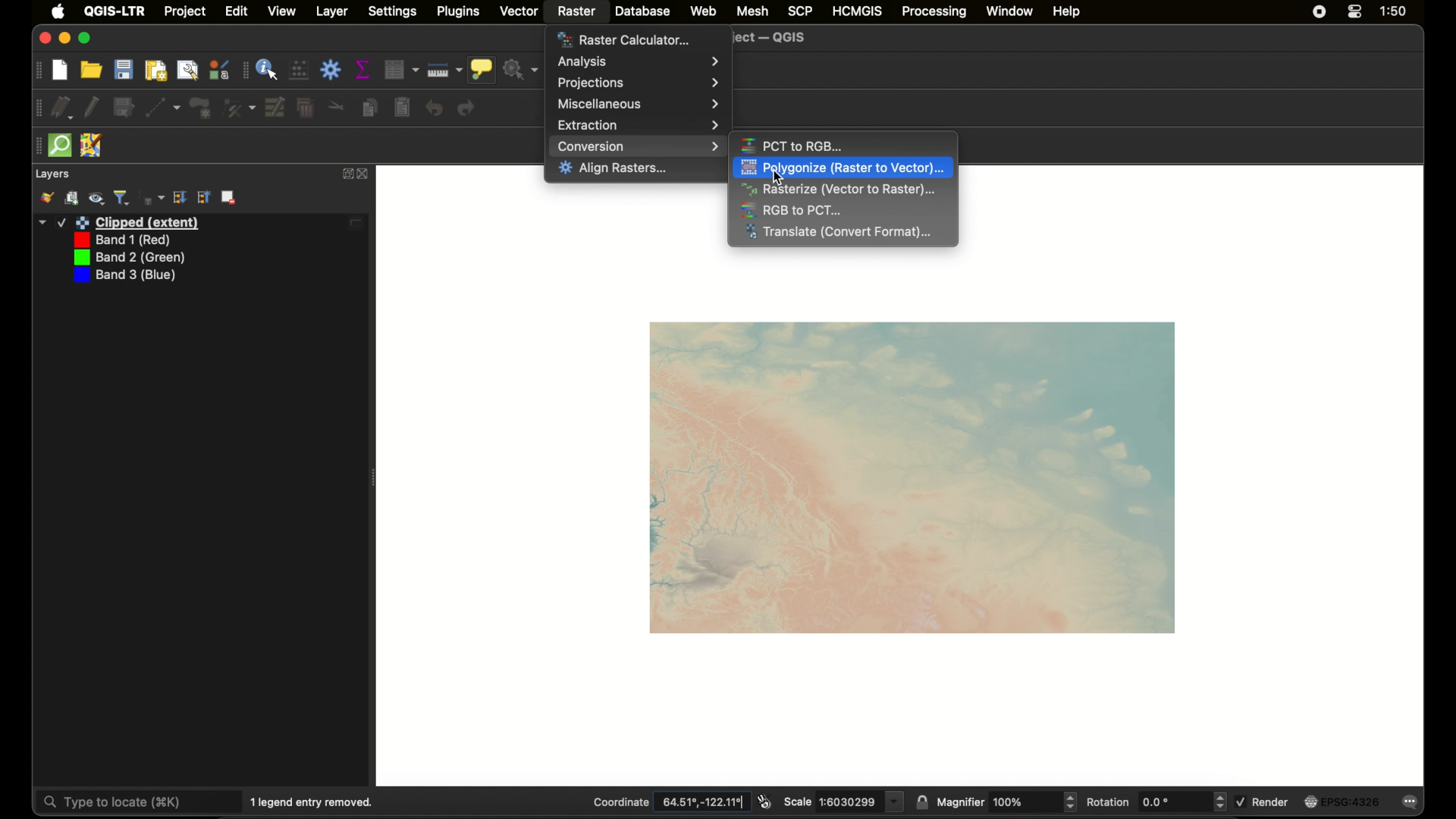 Image resolution: width=1456 pixels, height=819 pixels. Describe the element at coordinates (96, 199) in the screenshot. I see `manage map theme` at that location.